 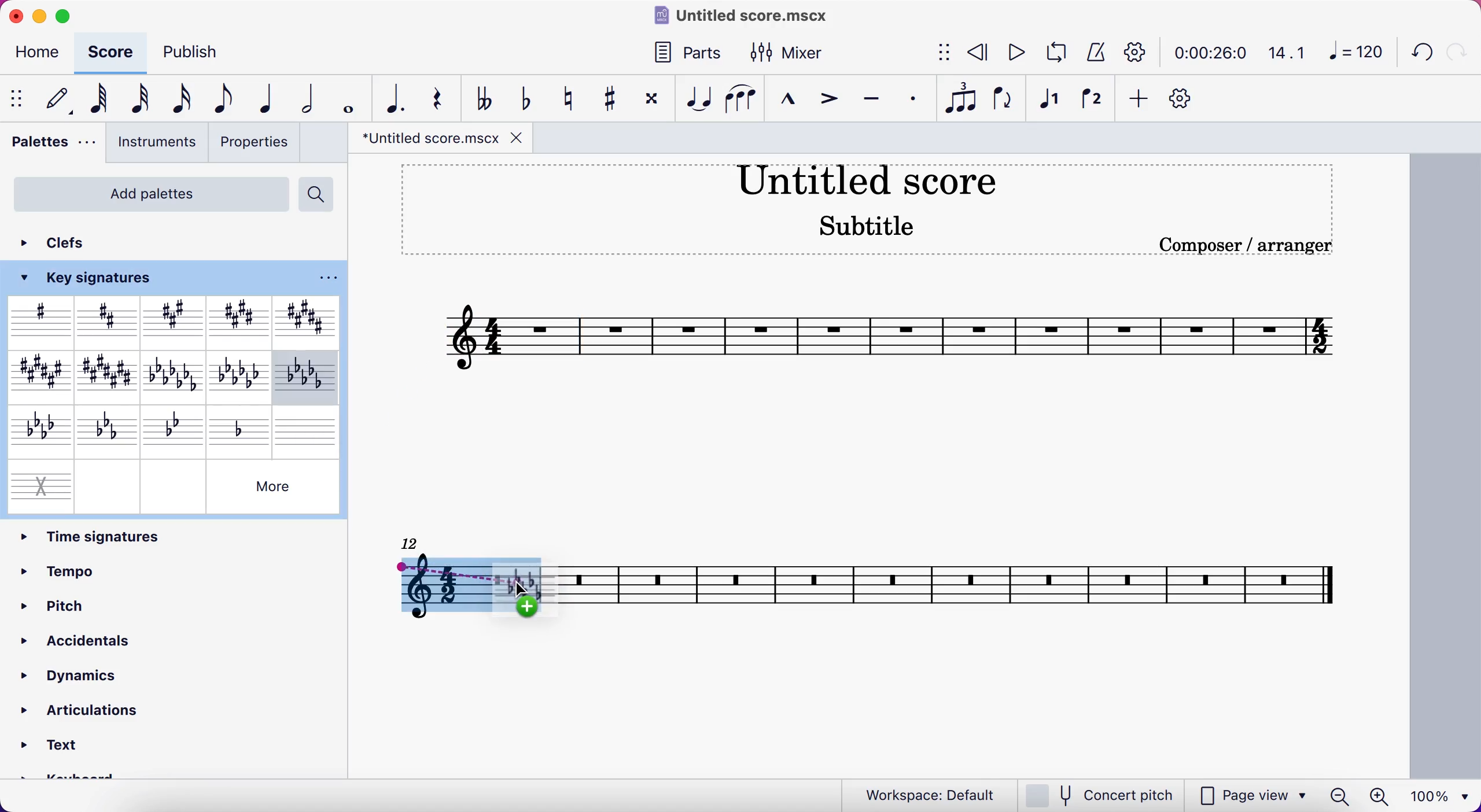 I want to click on edit, so click(x=62, y=99).